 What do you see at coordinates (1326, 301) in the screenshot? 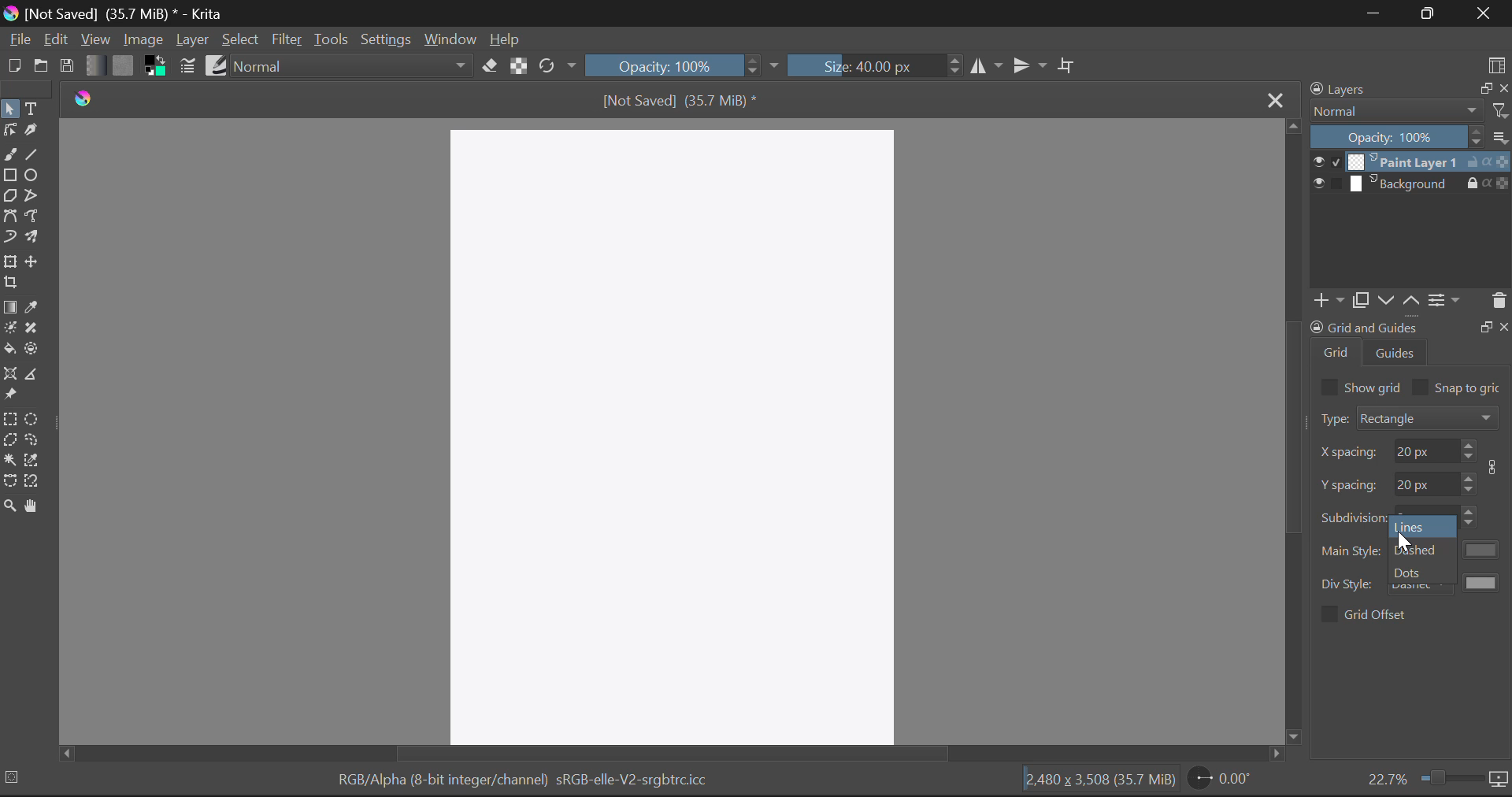
I see `add` at bounding box center [1326, 301].